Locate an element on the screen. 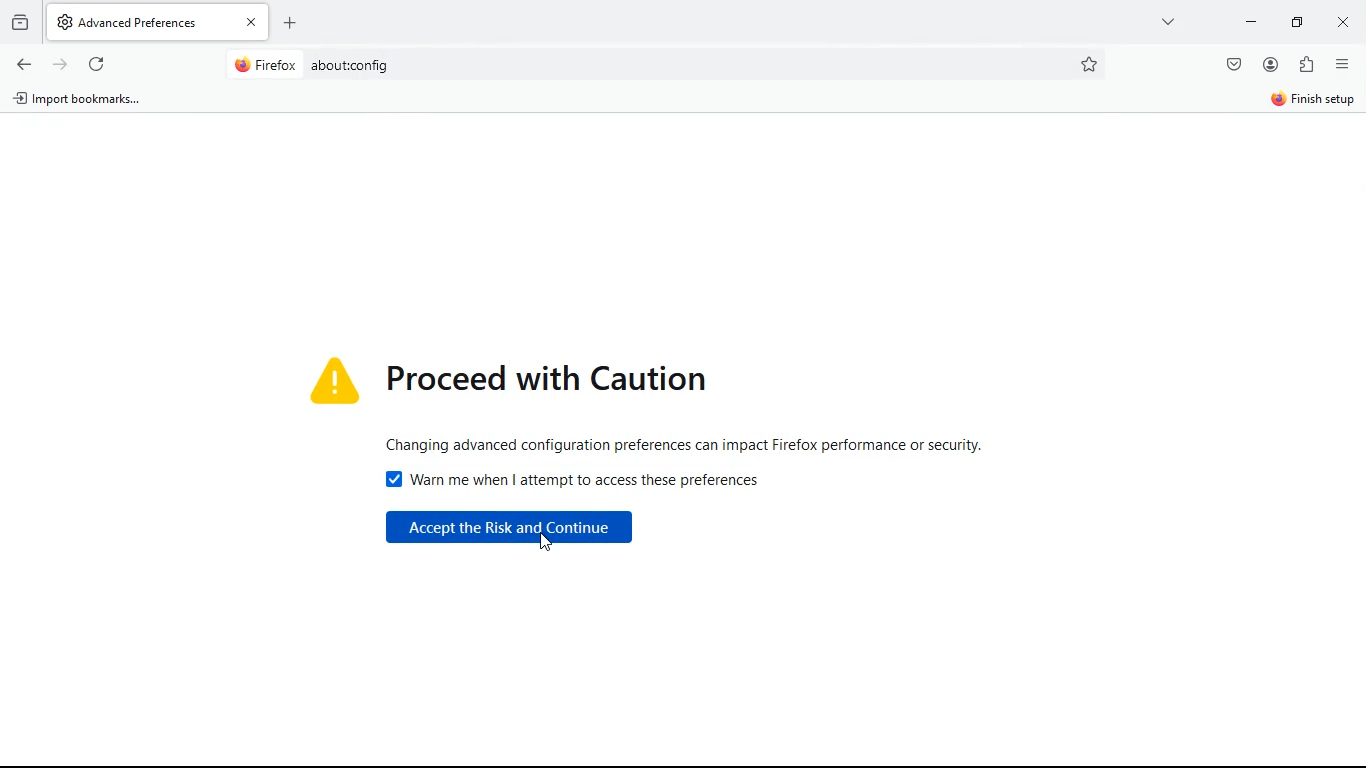 This screenshot has height=768, width=1366. save pocket is located at coordinates (1233, 66).